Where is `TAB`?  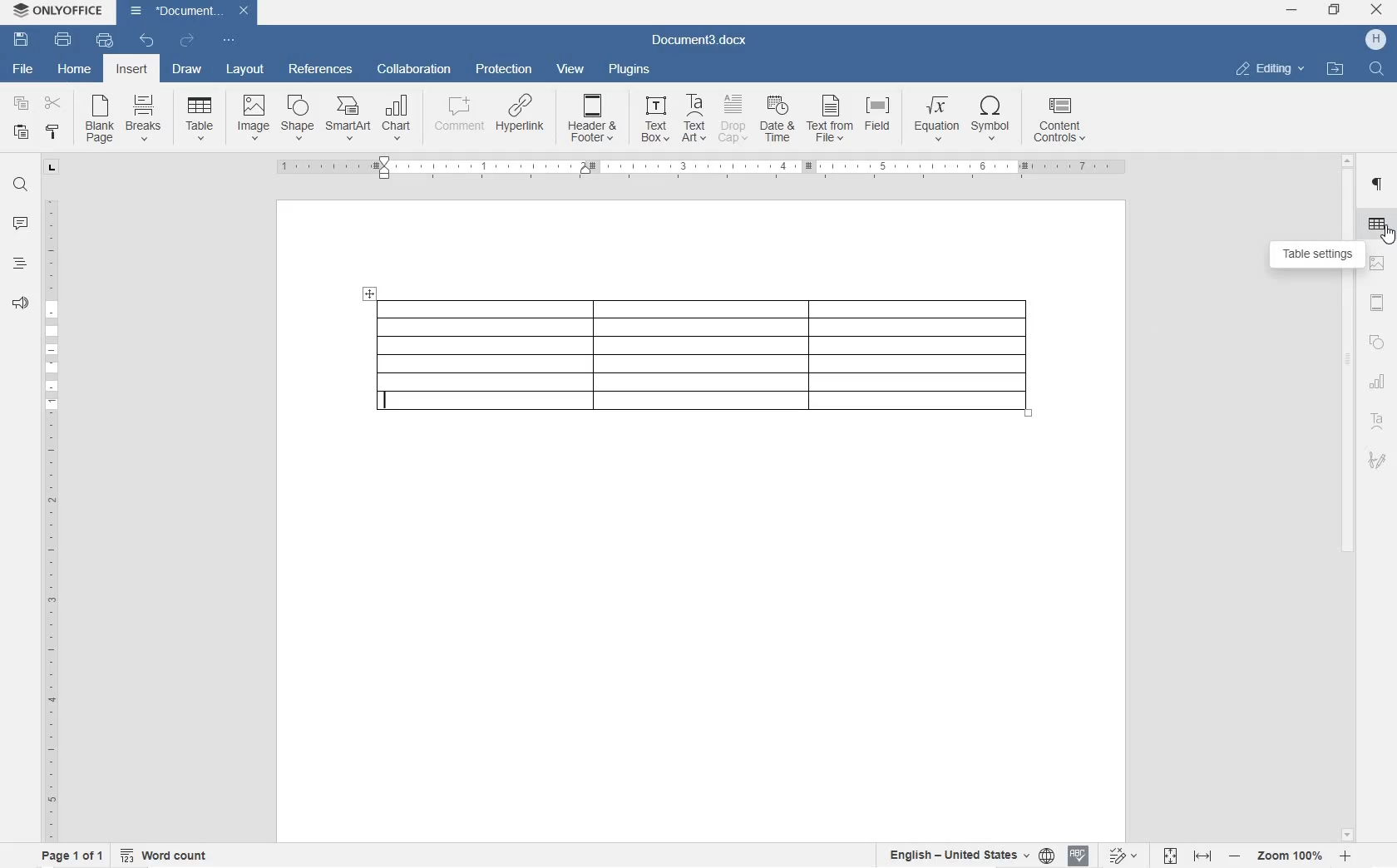
TAB is located at coordinates (52, 170).